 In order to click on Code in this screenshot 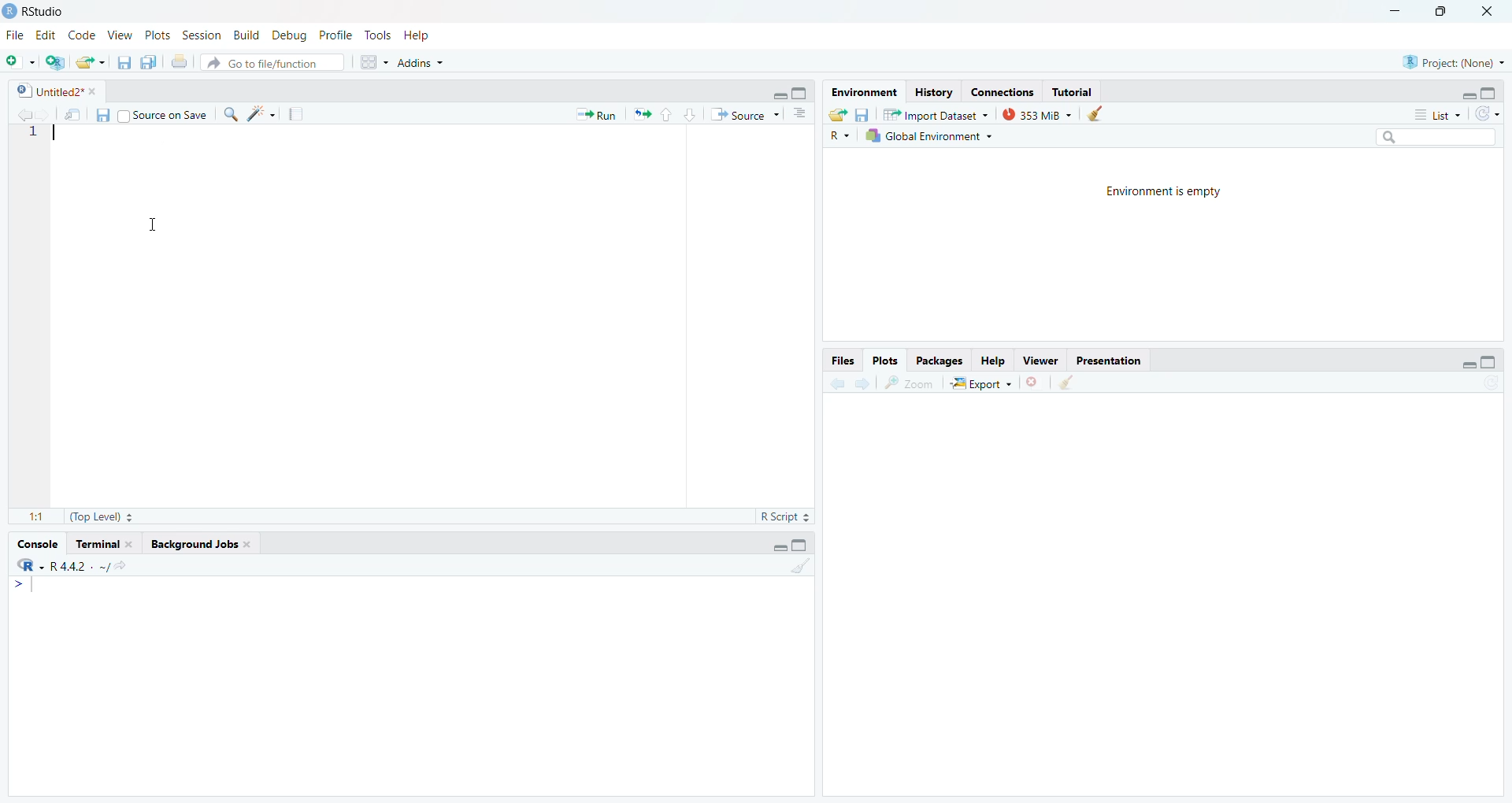, I will do `click(80, 36)`.